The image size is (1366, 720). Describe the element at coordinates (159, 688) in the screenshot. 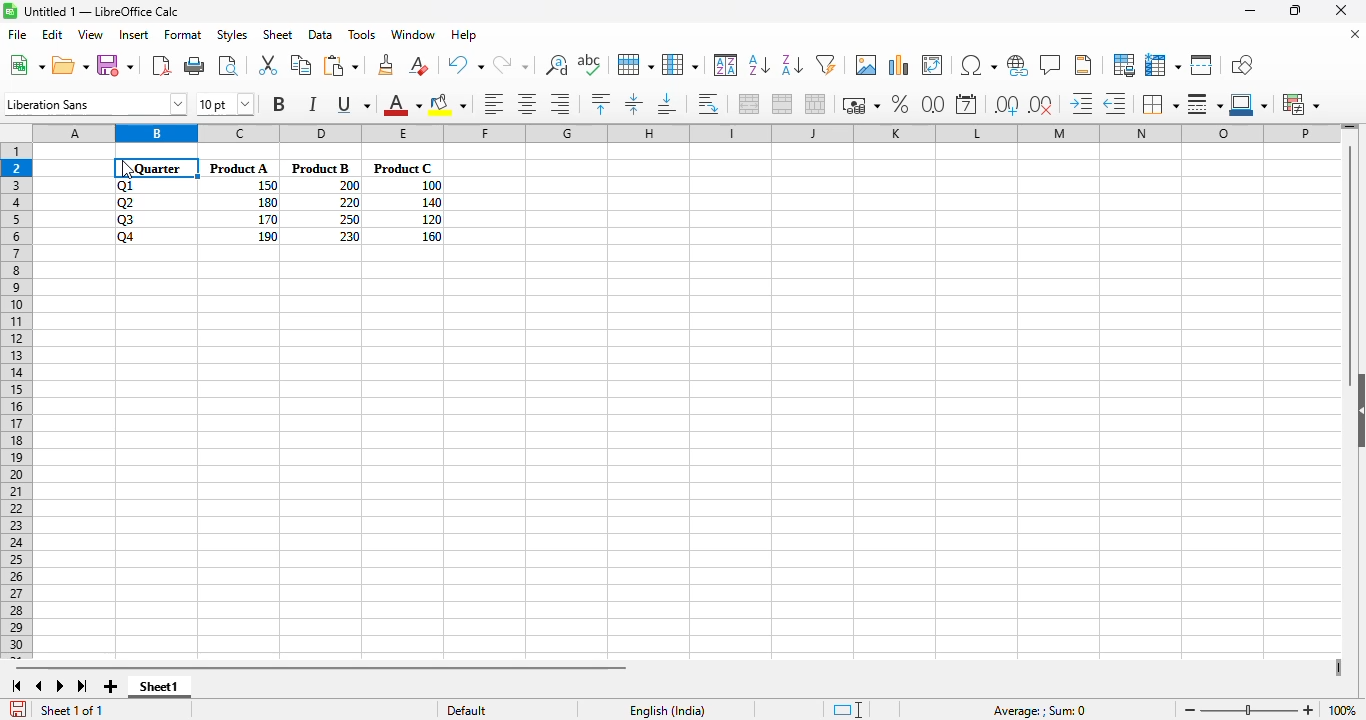

I see `sheet1` at that location.